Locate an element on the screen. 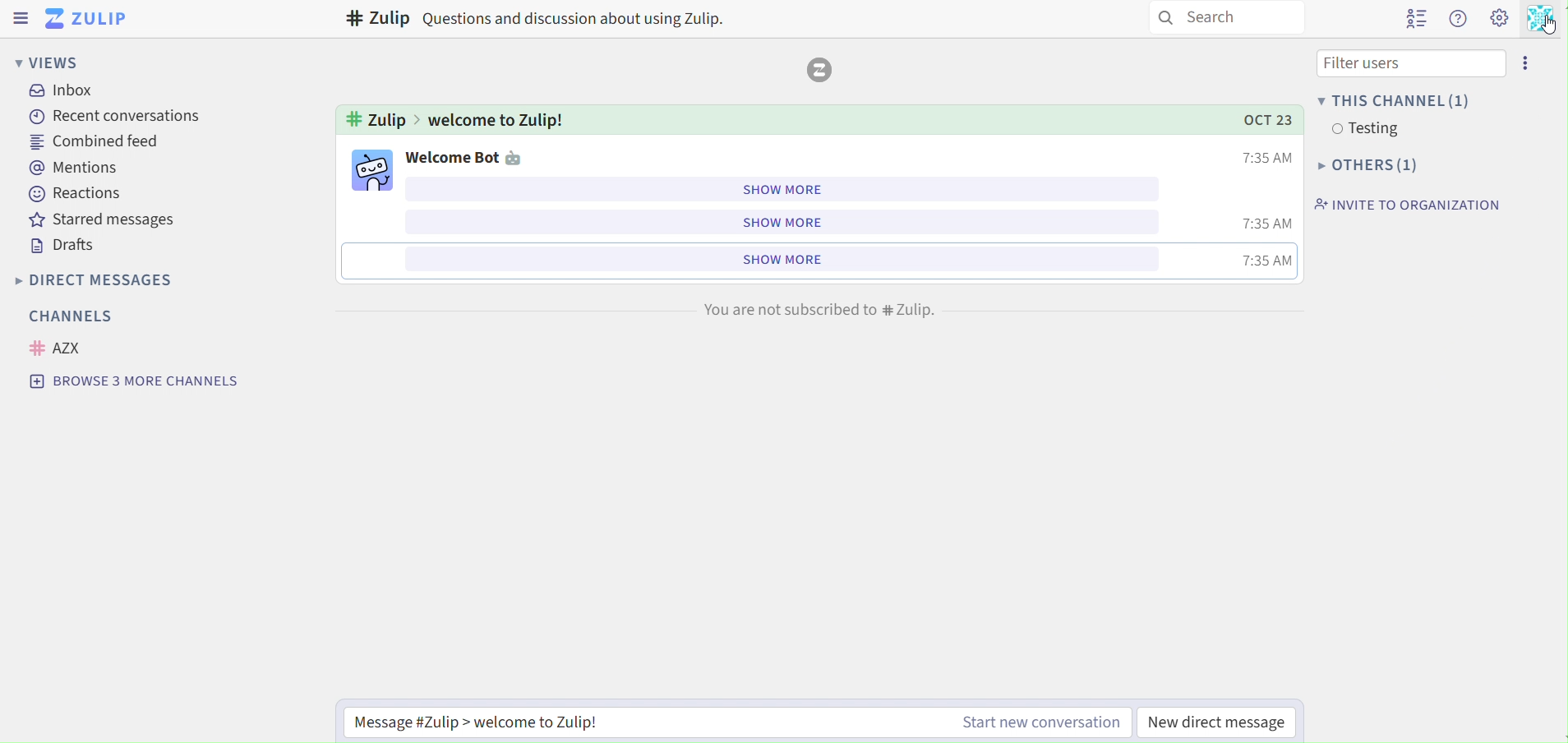 The width and height of the screenshot is (1568, 743). OCT 23 is located at coordinates (1257, 119).